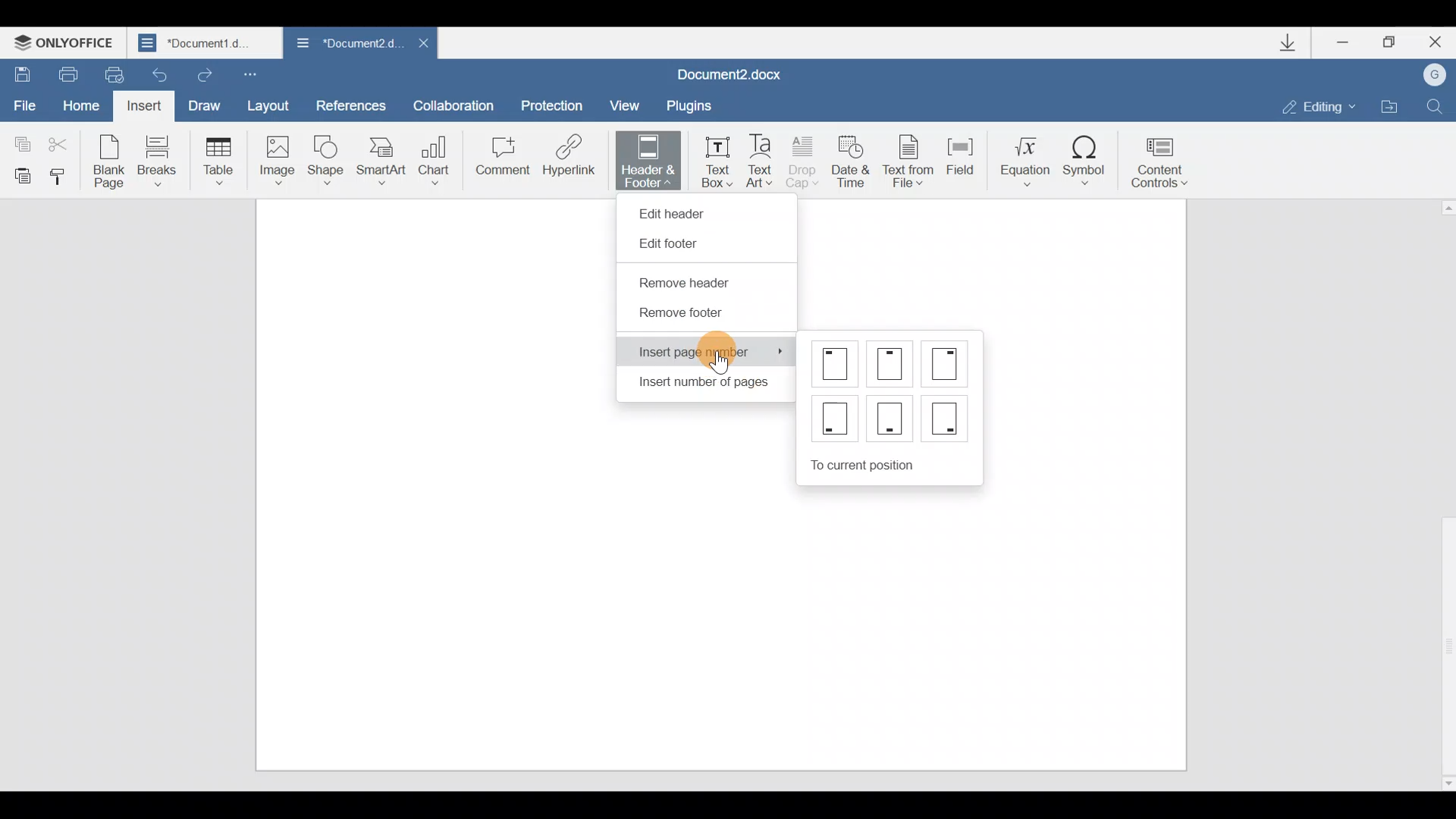 The height and width of the screenshot is (819, 1456). What do you see at coordinates (945, 416) in the screenshot?
I see `Position 6` at bounding box center [945, 416].